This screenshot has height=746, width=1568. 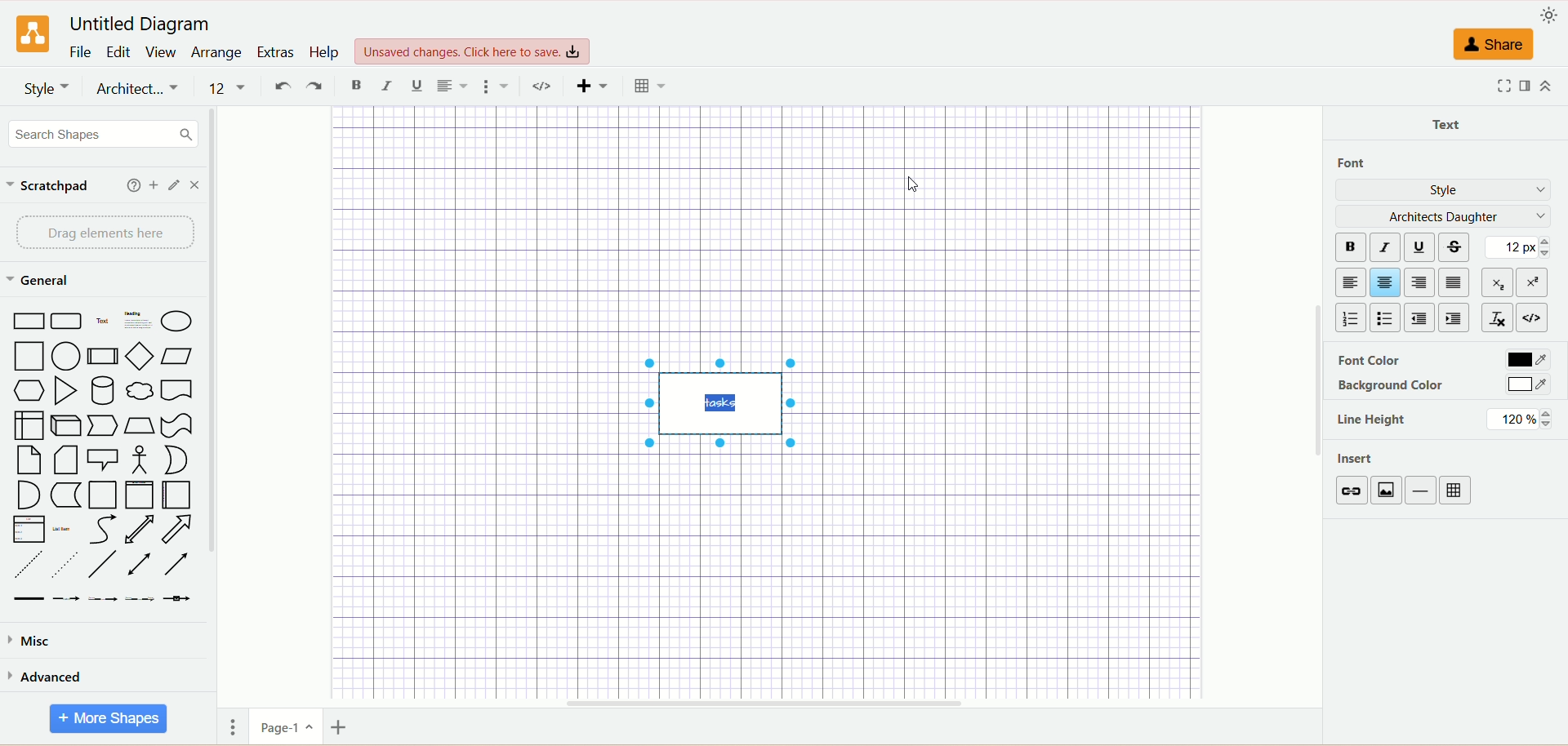 I want to click on Parallelogram, so click(x=176, y=356).